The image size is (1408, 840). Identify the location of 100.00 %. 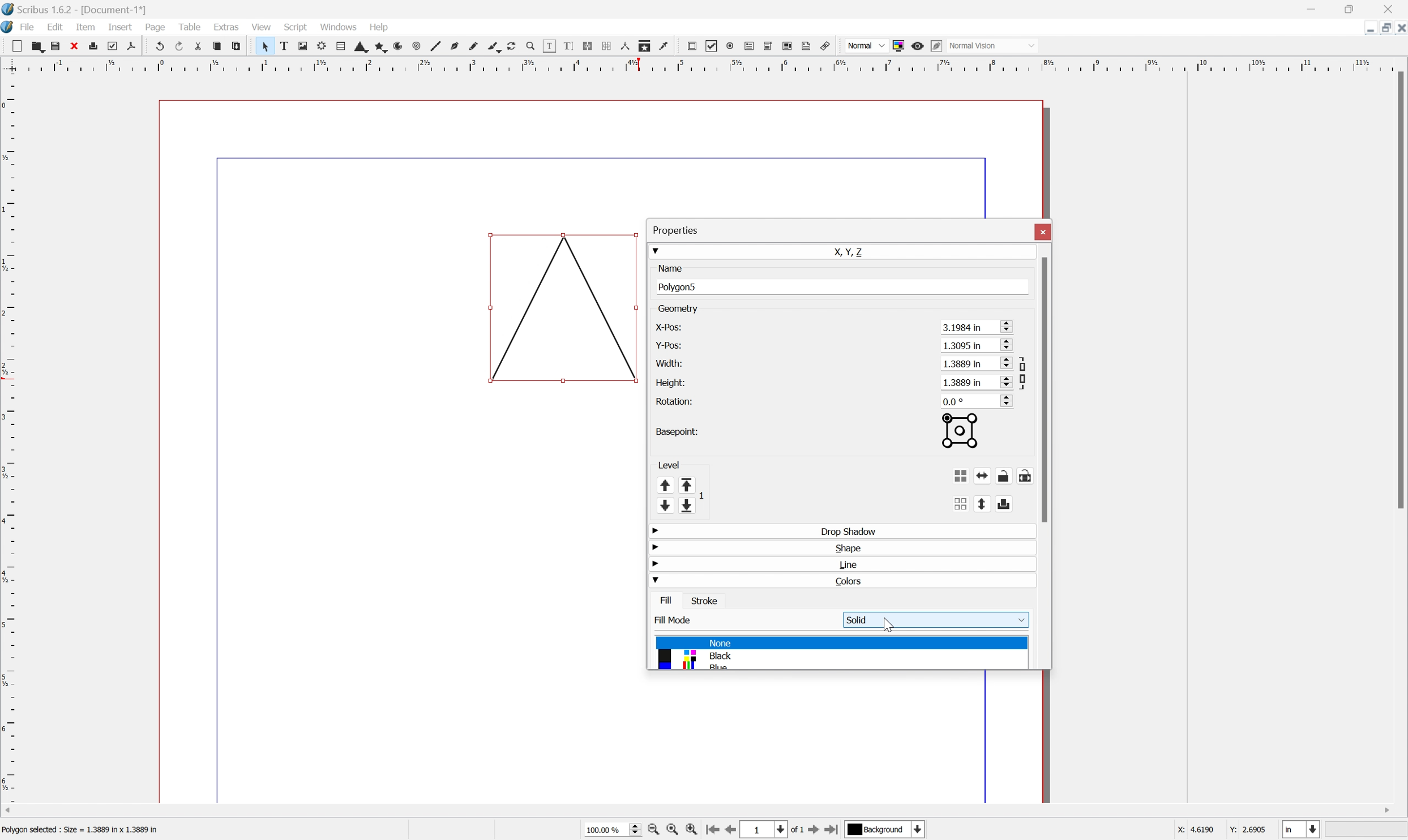
(606, 830).